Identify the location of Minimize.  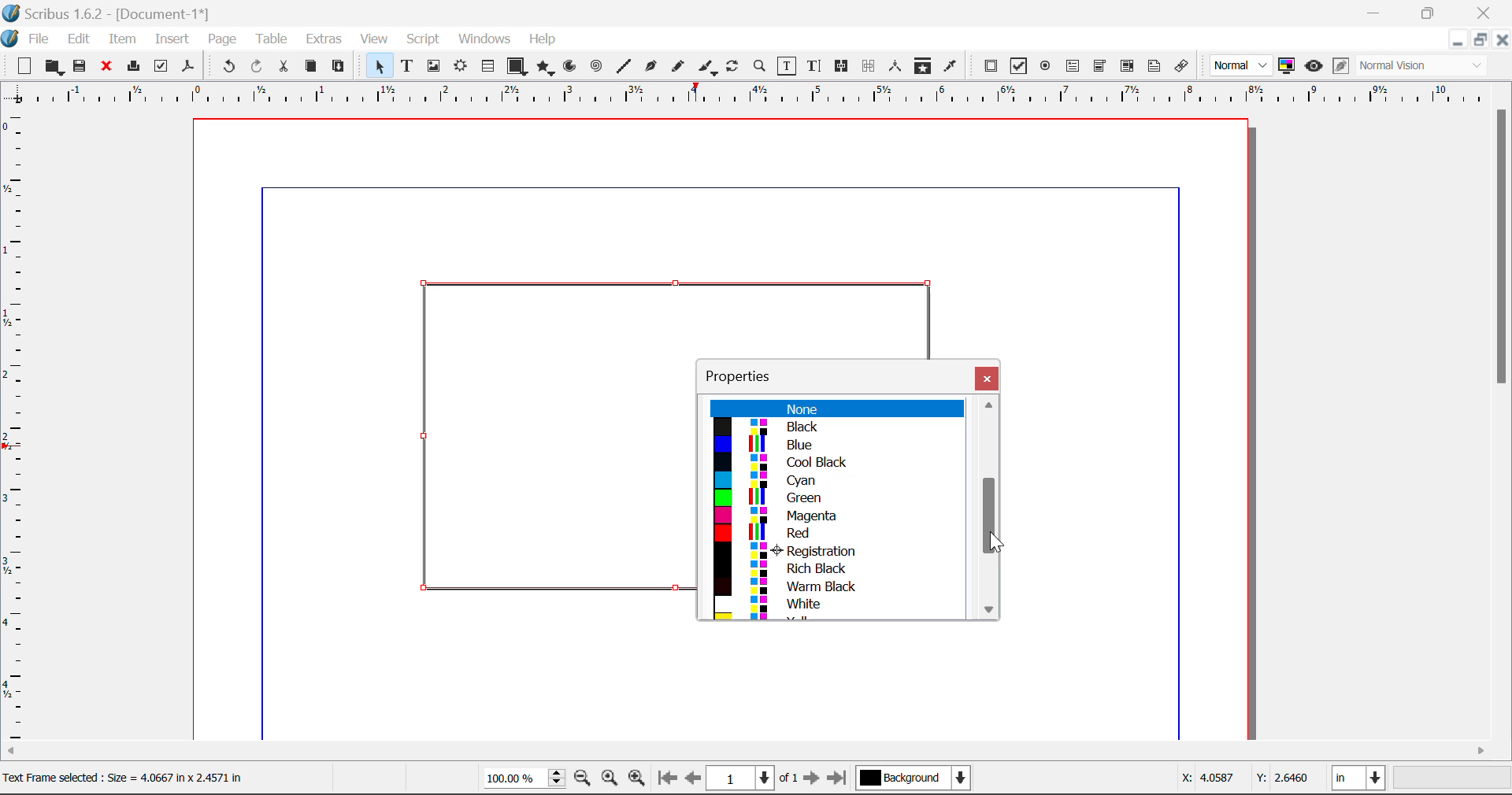
(1480, 39).